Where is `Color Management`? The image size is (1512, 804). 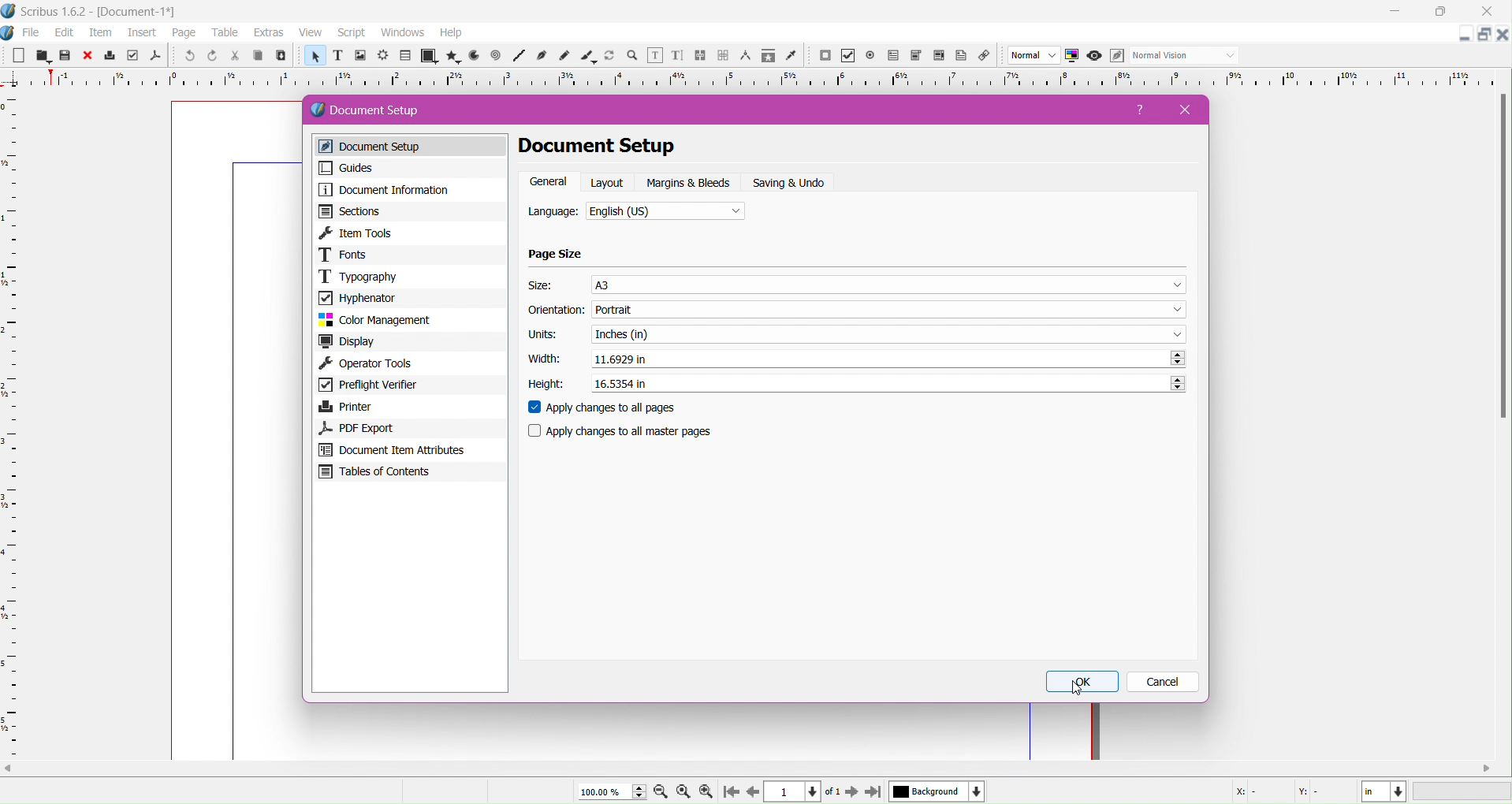 Color Management is located at coordinates (409, 320).